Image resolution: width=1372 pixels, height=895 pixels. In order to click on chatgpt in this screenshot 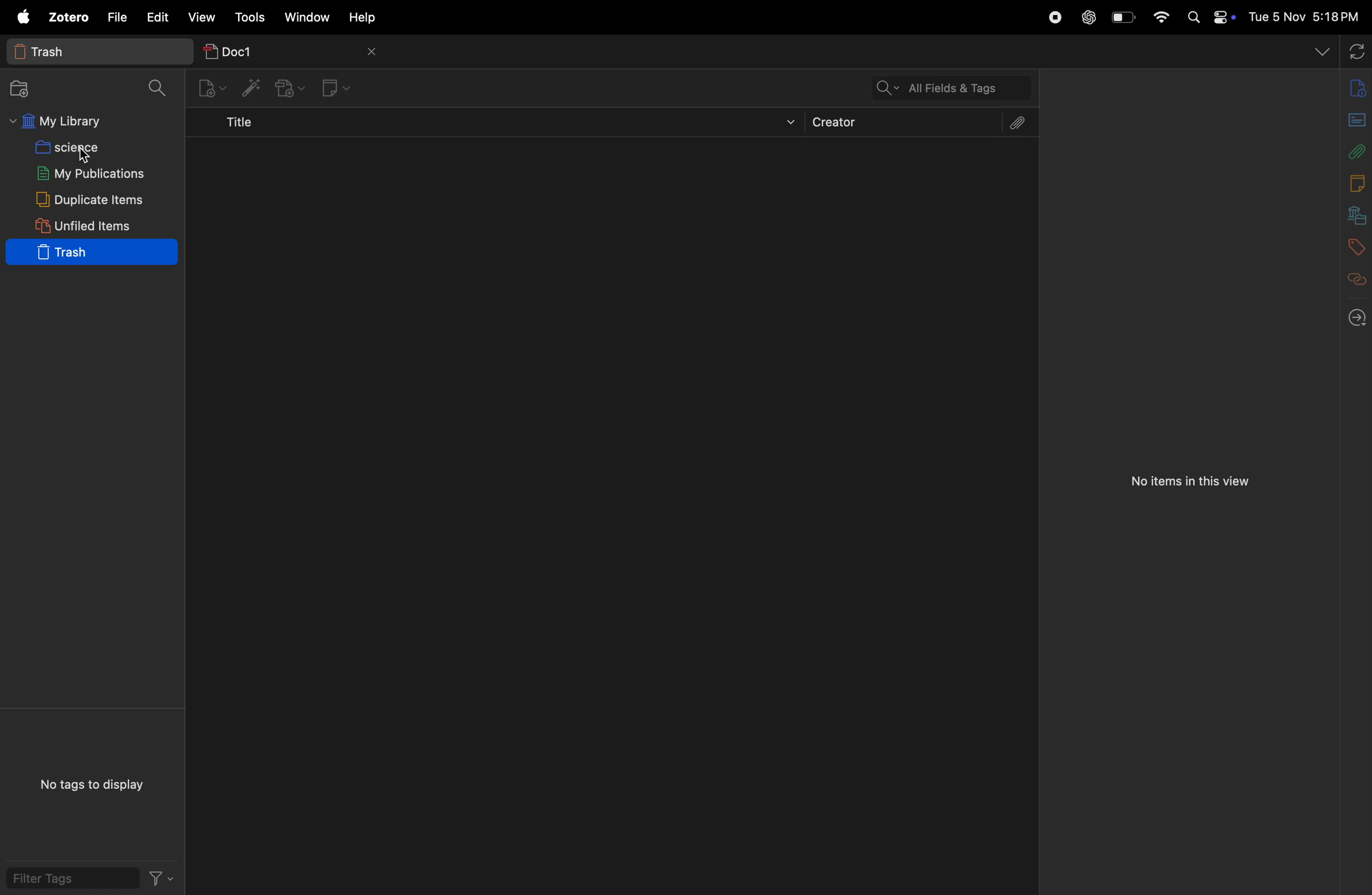, I will do `click(1088, 14)`.